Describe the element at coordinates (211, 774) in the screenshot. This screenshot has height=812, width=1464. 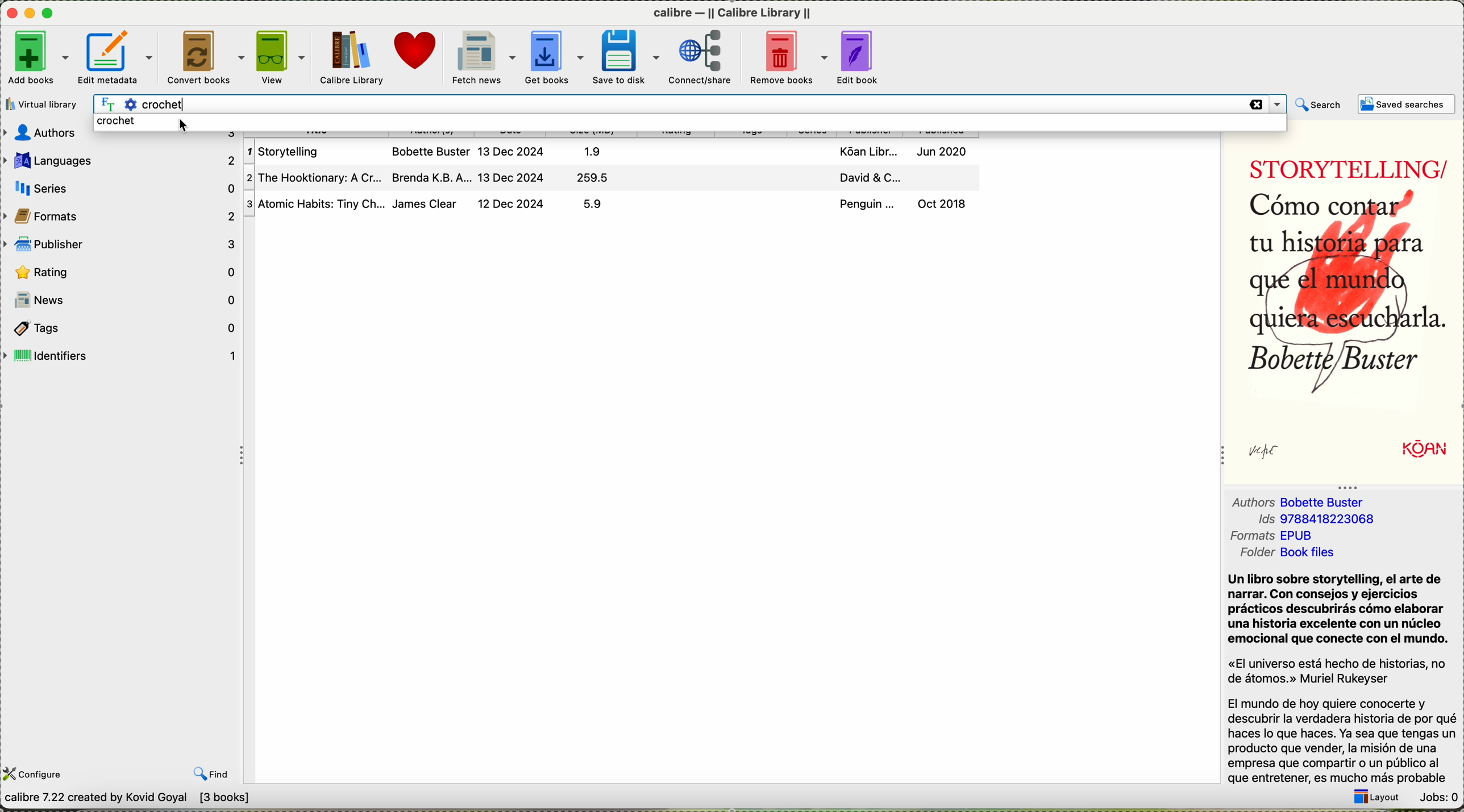
I see `find` at that location.